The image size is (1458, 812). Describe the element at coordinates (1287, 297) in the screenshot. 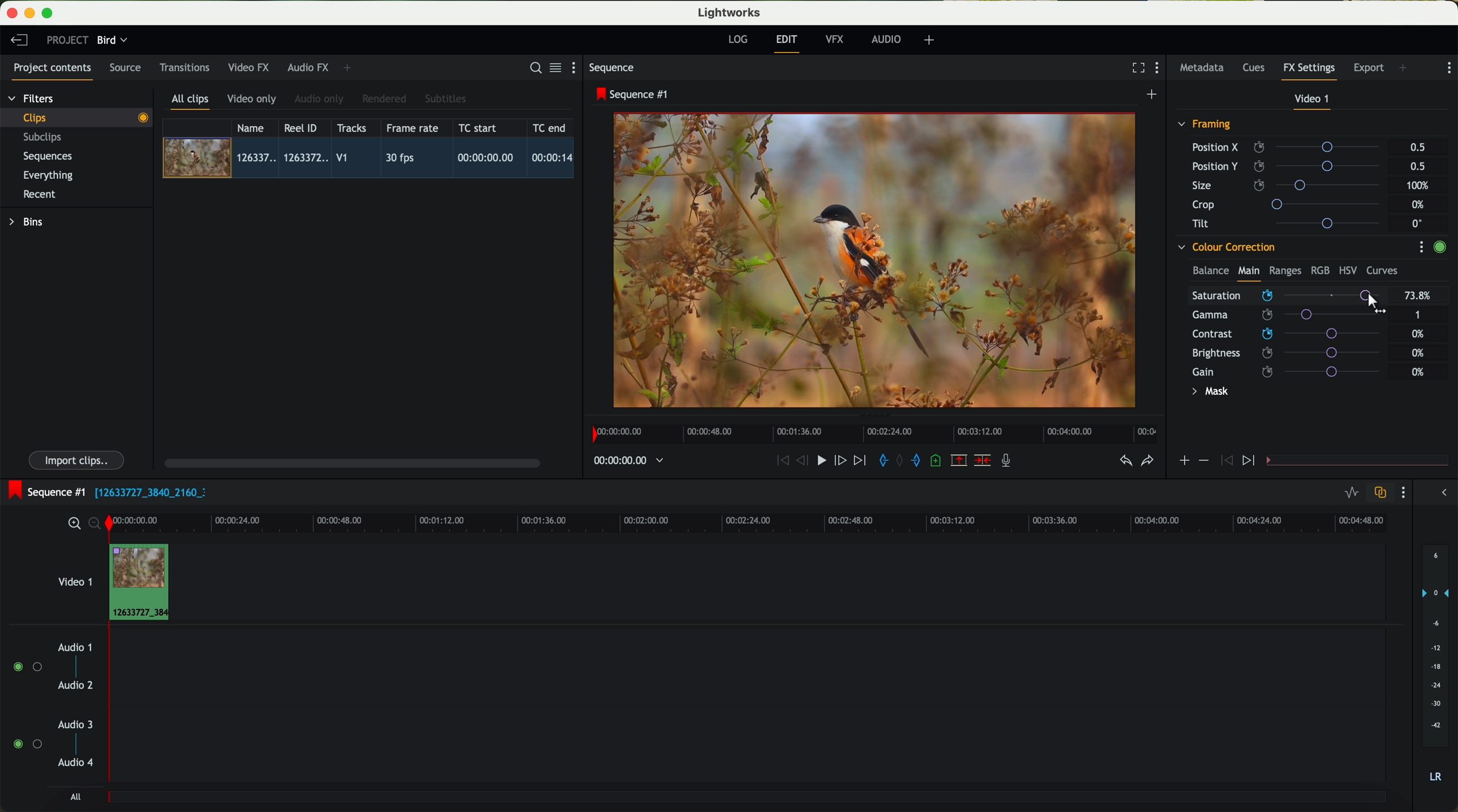

I see `mouse up (saturation)` at that location.